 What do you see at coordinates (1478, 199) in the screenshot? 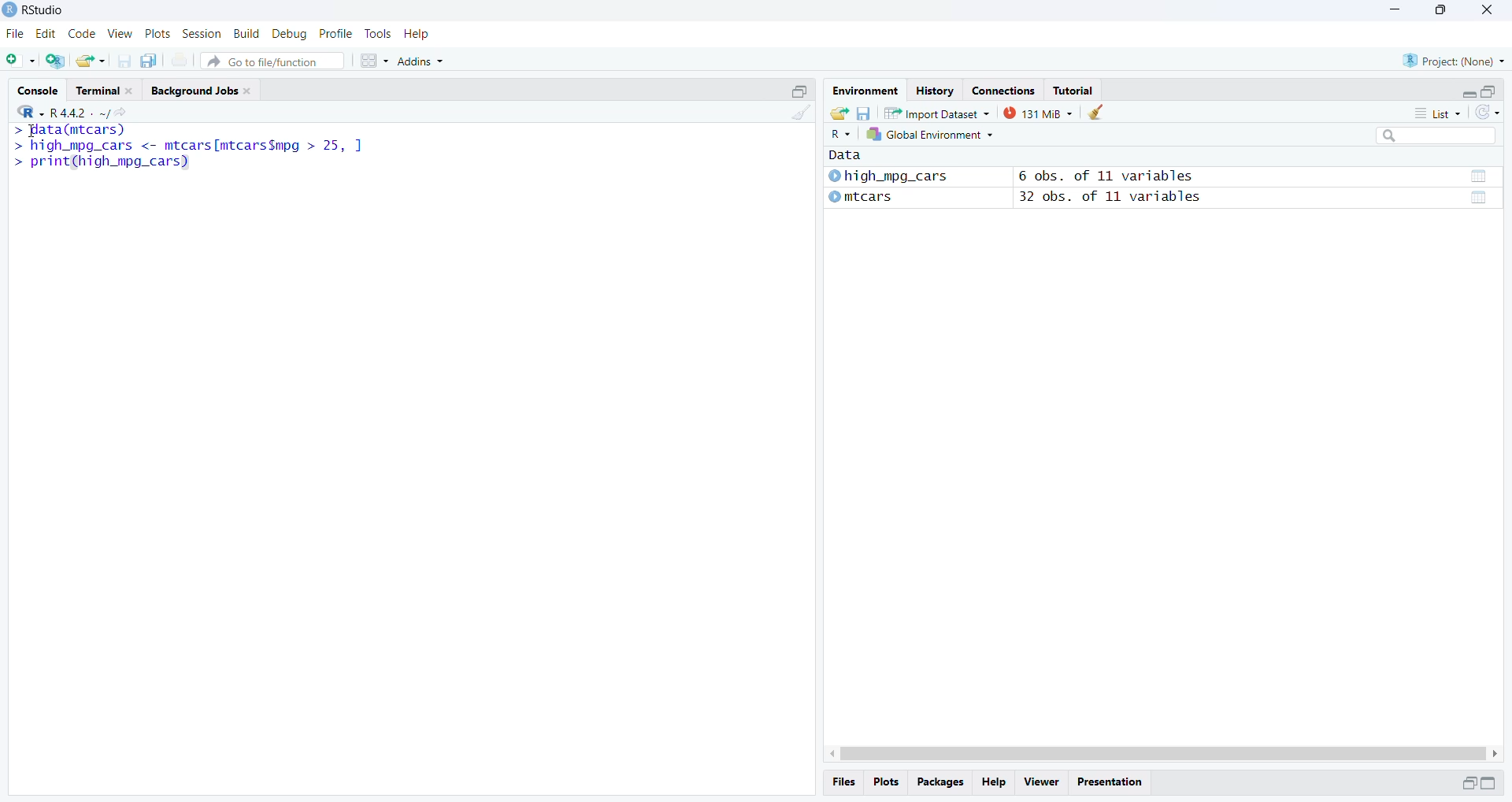
I see `data` at bounding box center [1478, 199].